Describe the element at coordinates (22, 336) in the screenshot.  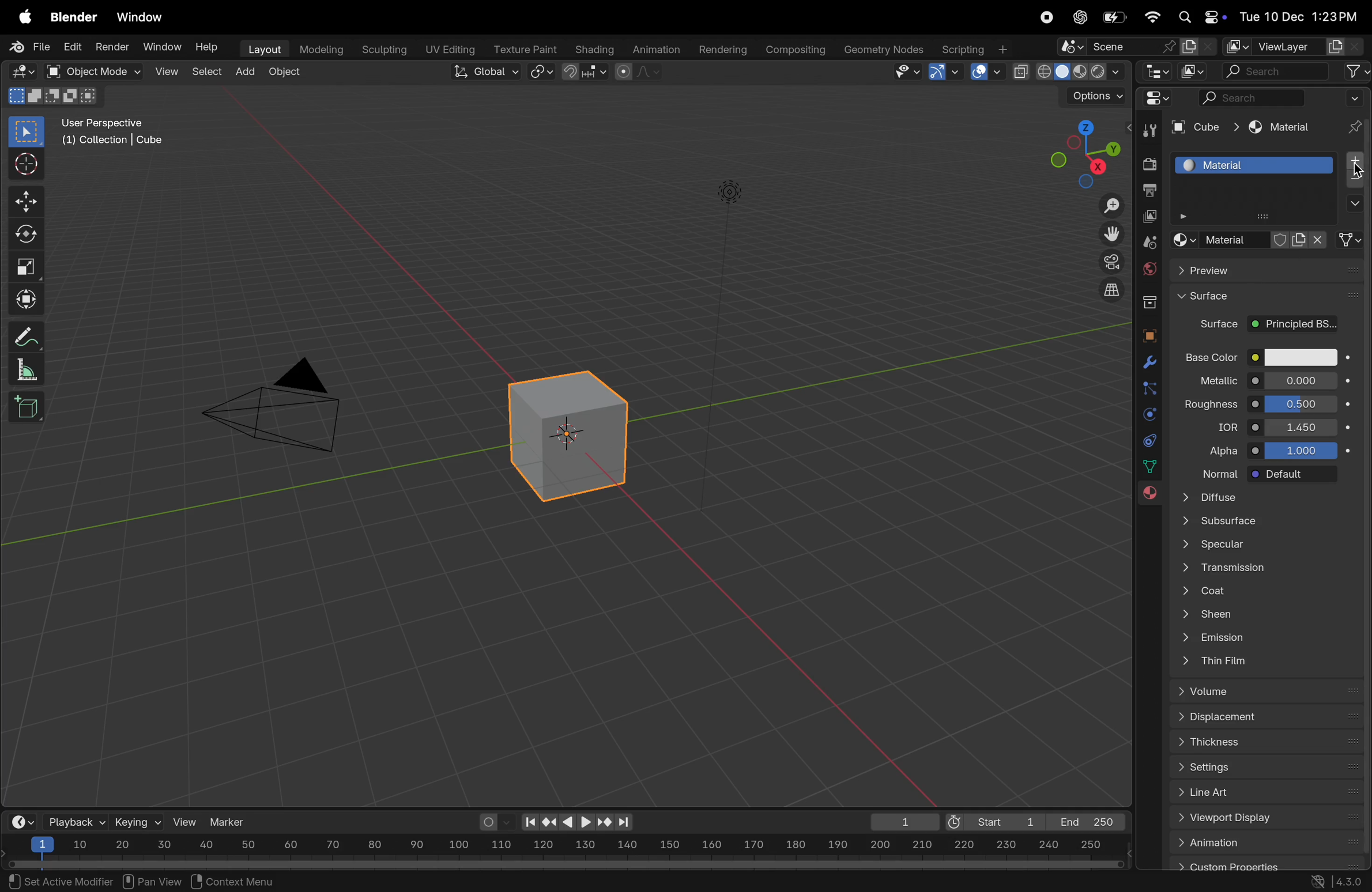
I see `annotate` at that location.